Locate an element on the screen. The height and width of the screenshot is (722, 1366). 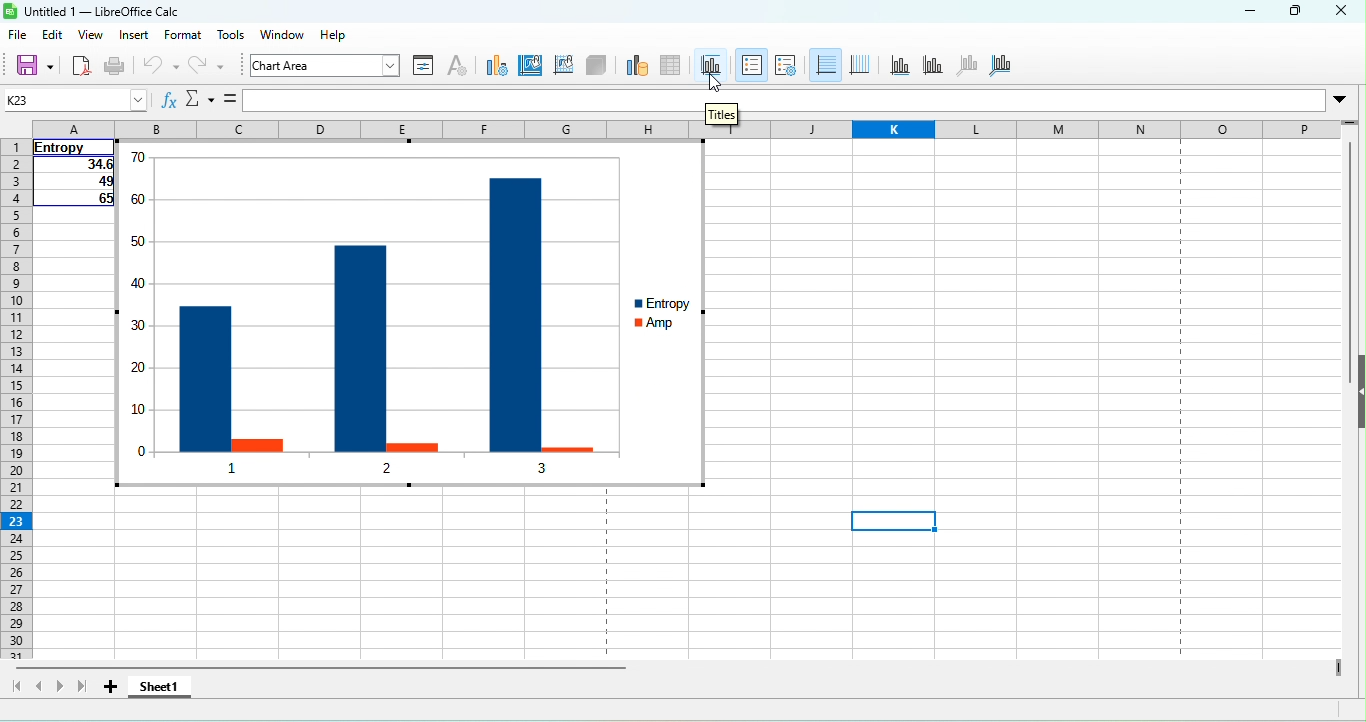
3 d view is located at coordinates (599, 68).